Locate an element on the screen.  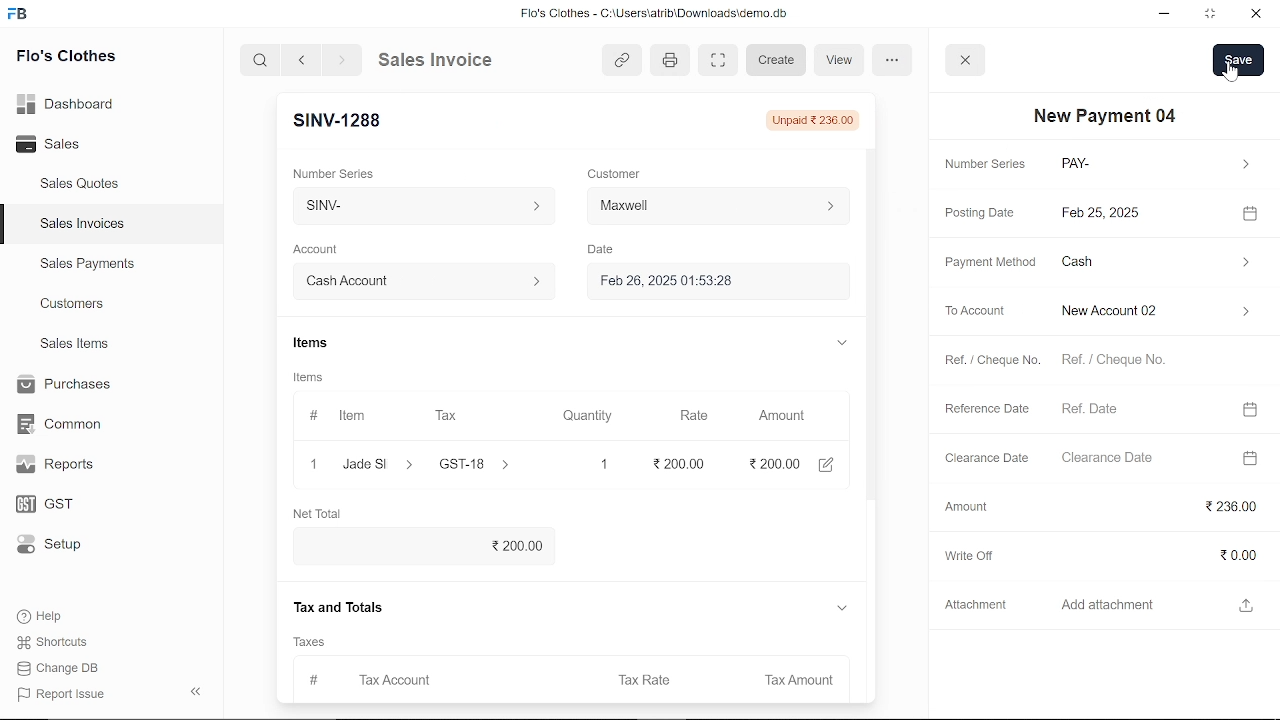
Item is located at coordinates (348, 415).